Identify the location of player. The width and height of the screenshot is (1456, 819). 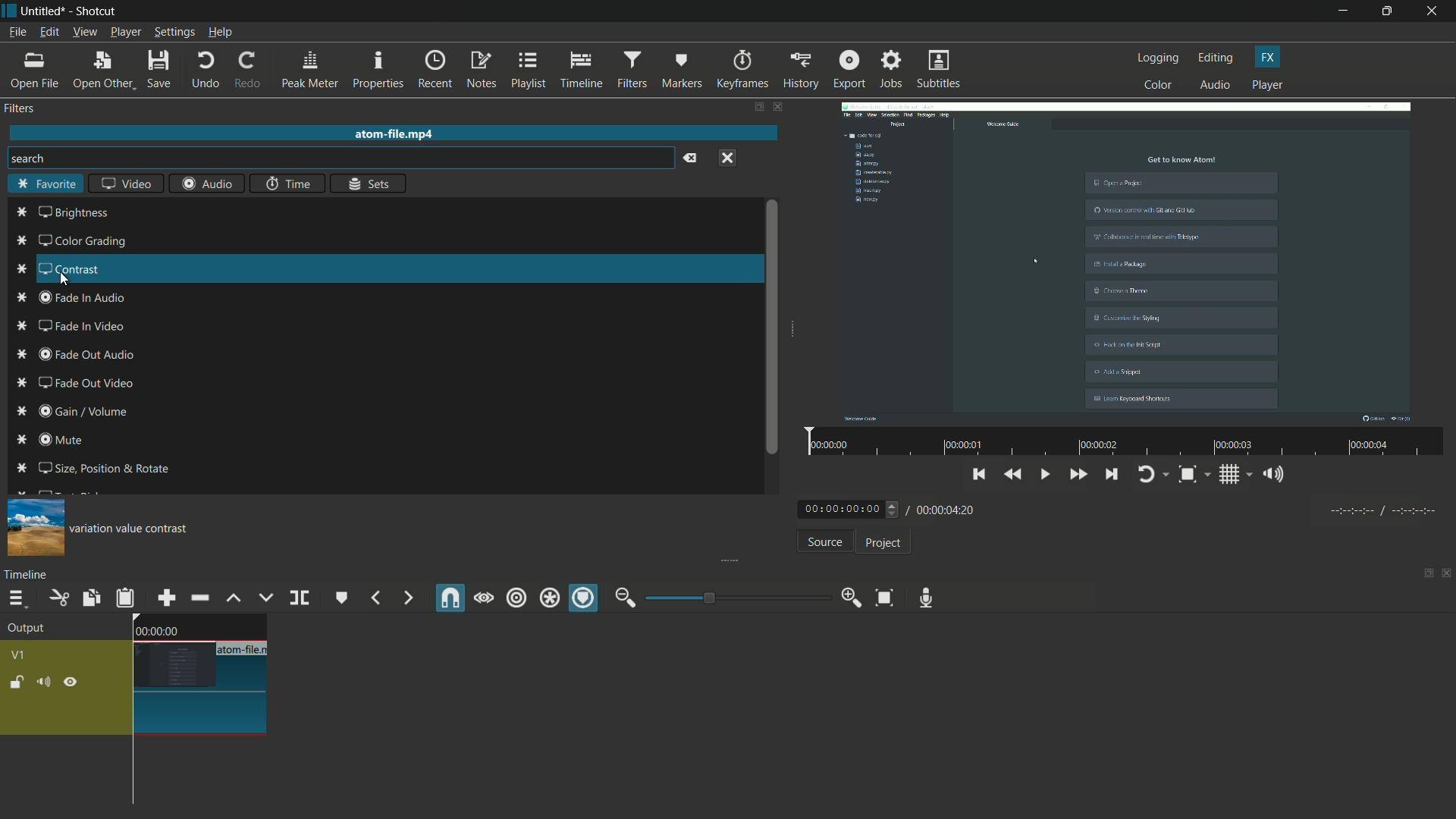
(1267, 86).